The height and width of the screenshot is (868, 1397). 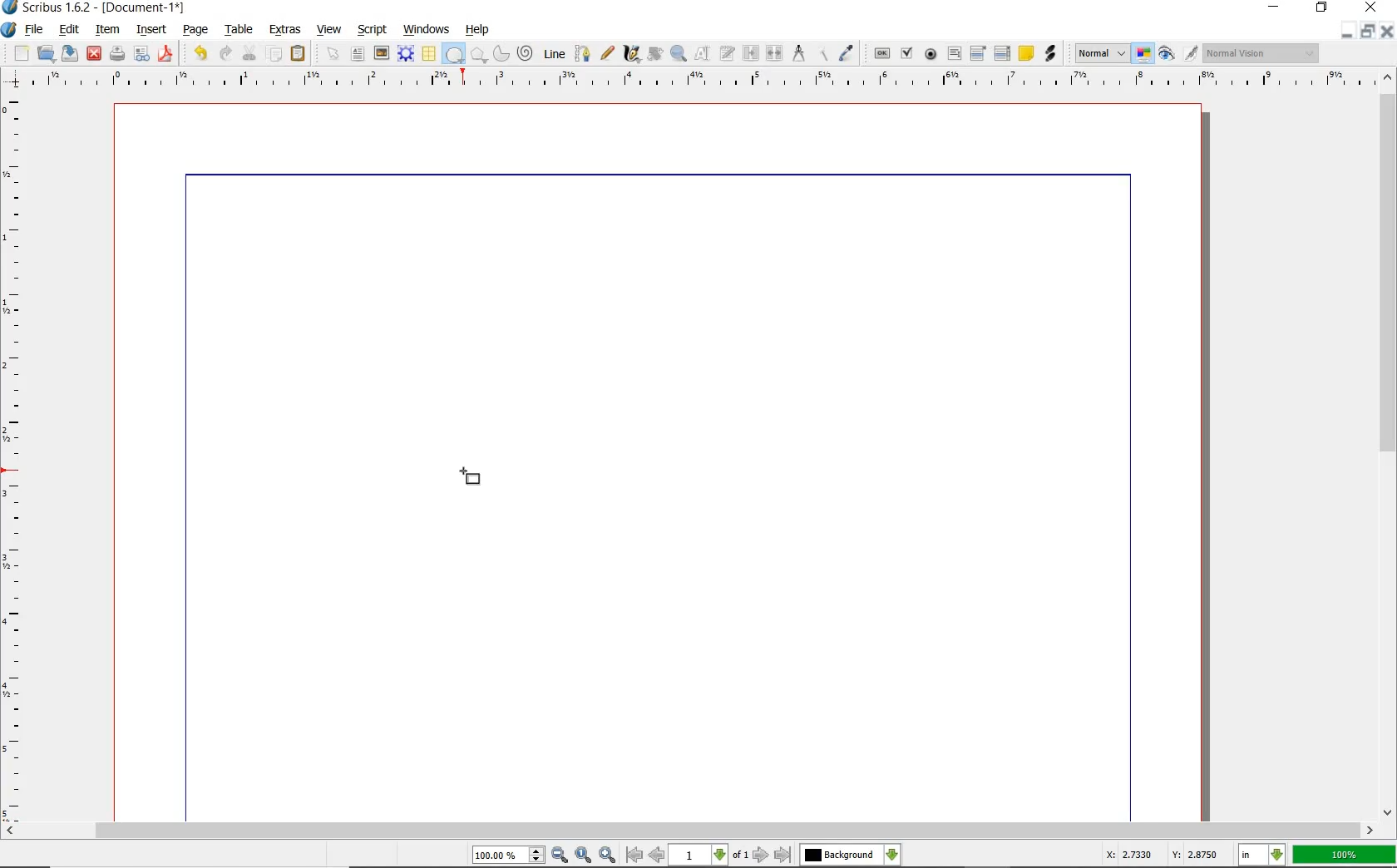 What do you see at coordinates (225, 52) in the screenshot?
I see `REDO` at bounding box center [225, 52].